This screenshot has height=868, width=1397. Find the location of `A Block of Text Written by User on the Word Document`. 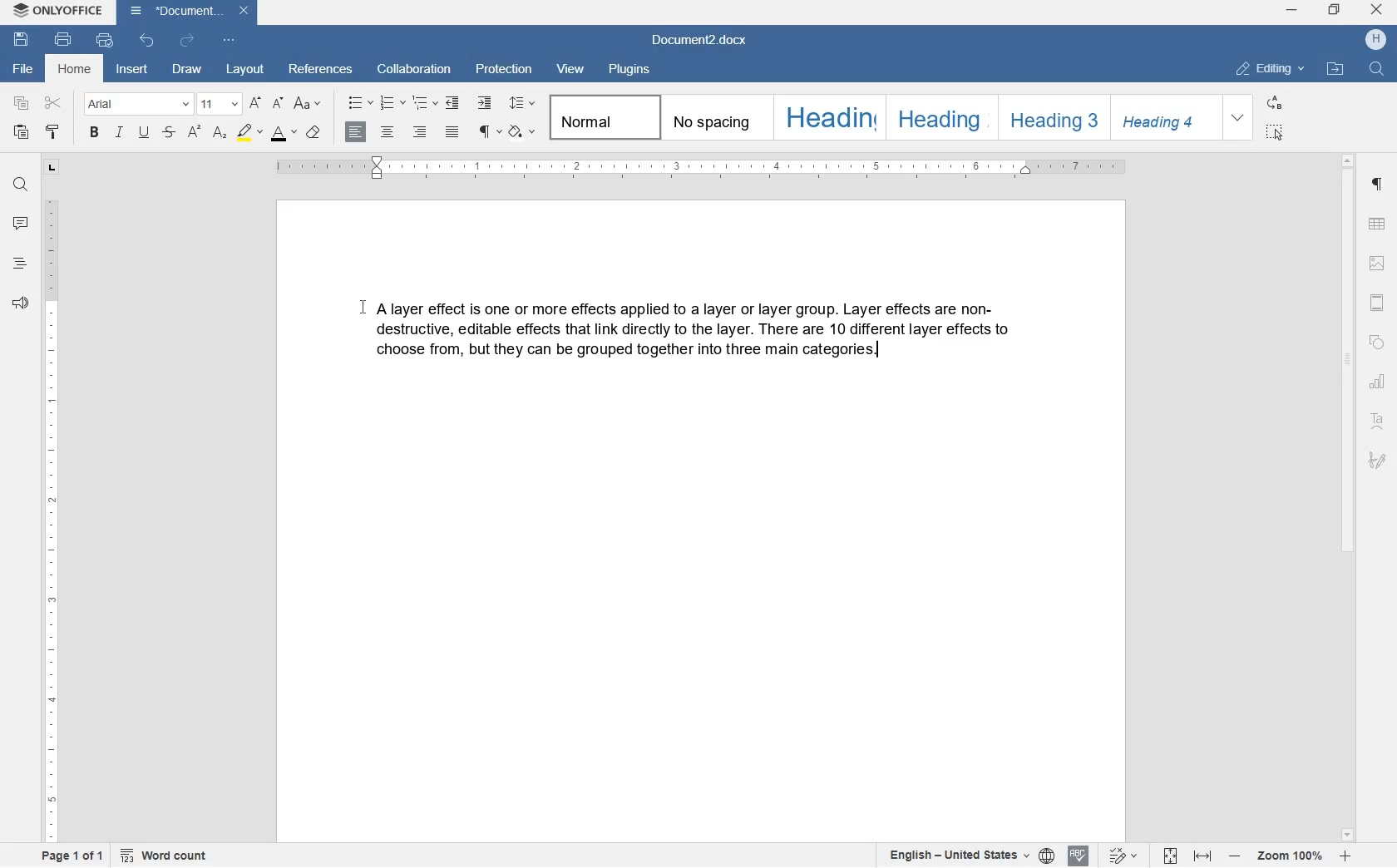

A Block of Text Written by User on the Word Document is located at coordinates (701, 333).